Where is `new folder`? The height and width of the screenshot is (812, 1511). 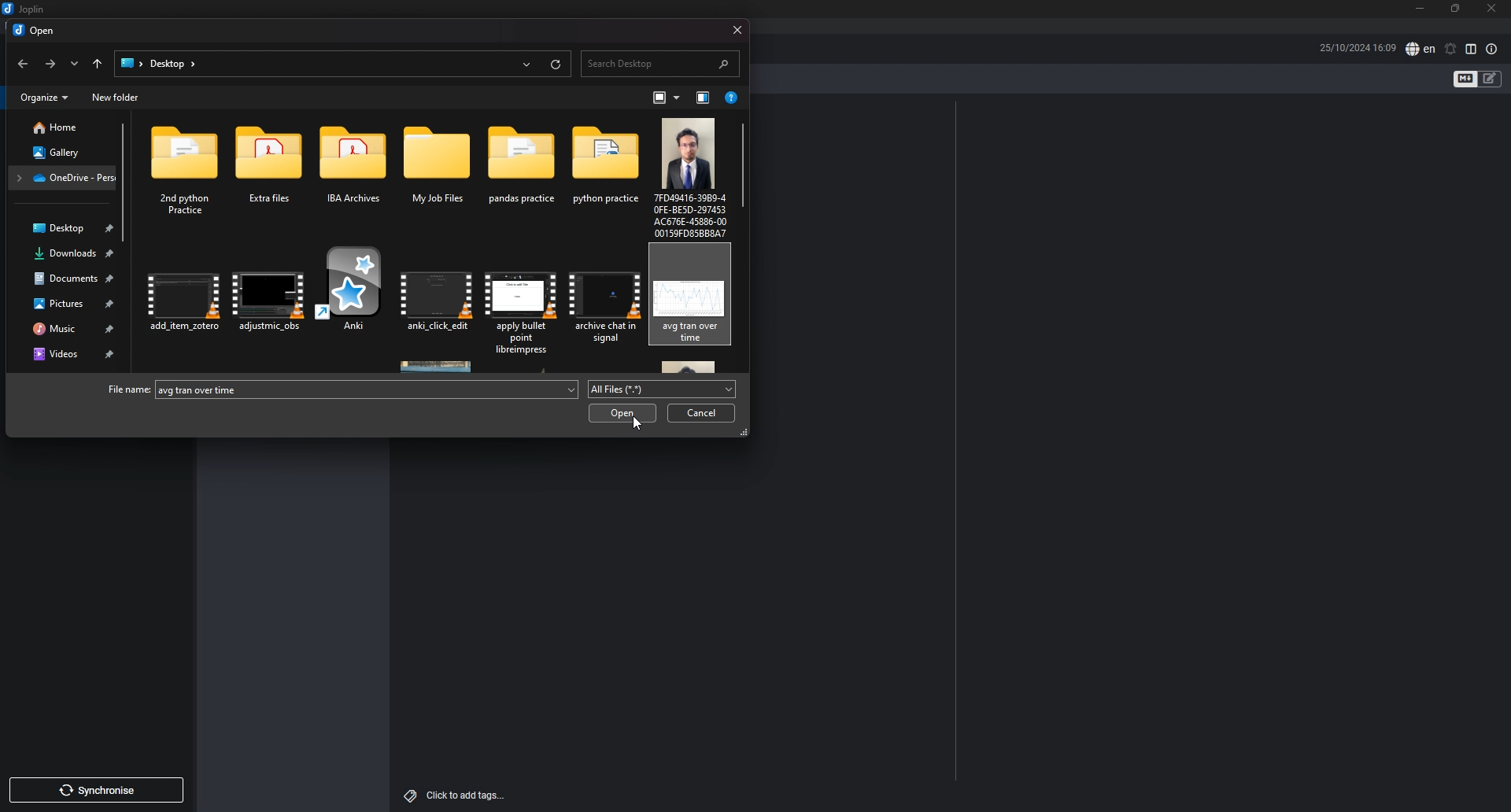 new folder is located at coordinates (117, 97).